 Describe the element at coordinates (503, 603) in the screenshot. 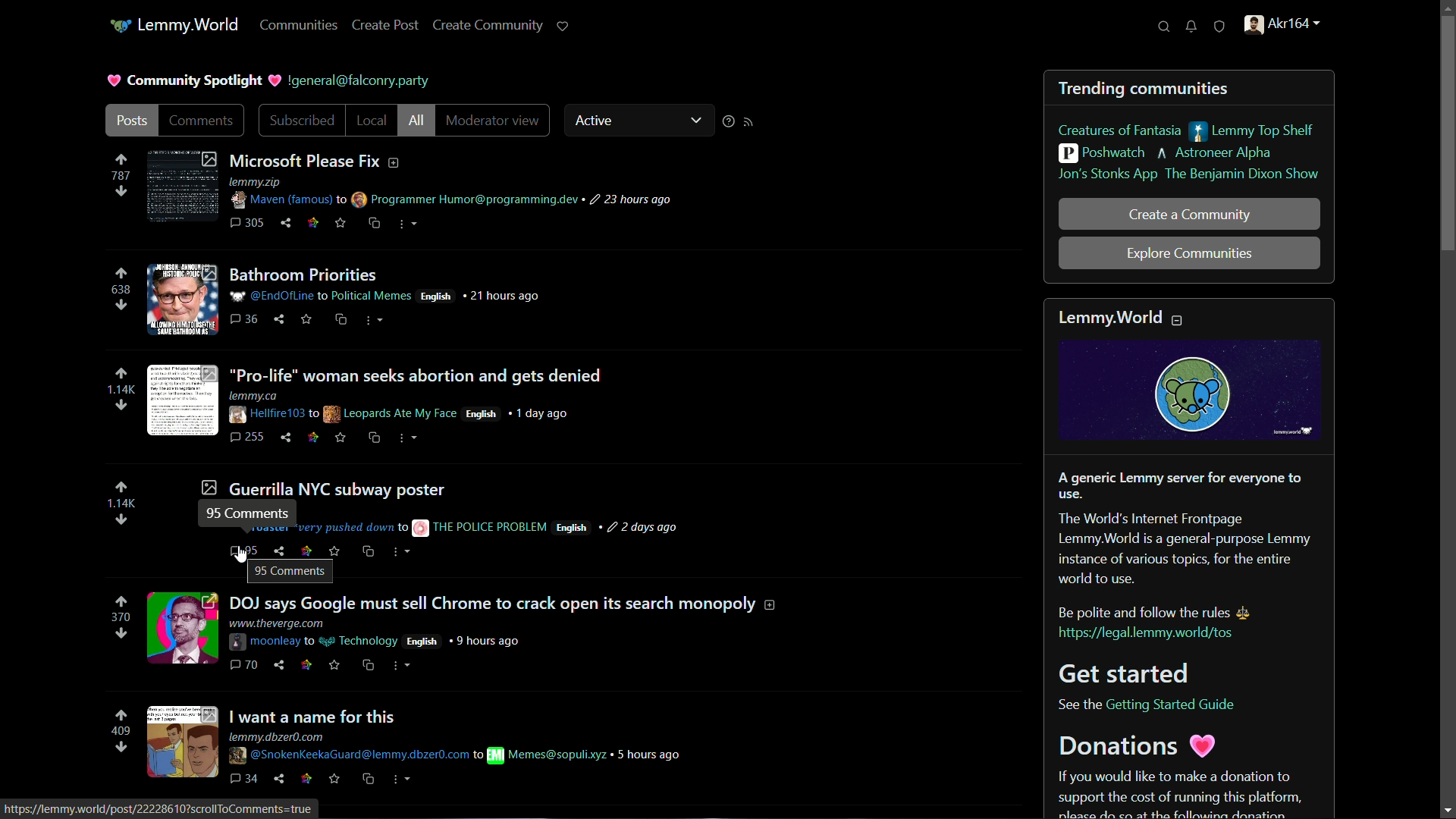

I see `DOJ says Google must sell Chrome to crack open Its search monopoly |` at that location.